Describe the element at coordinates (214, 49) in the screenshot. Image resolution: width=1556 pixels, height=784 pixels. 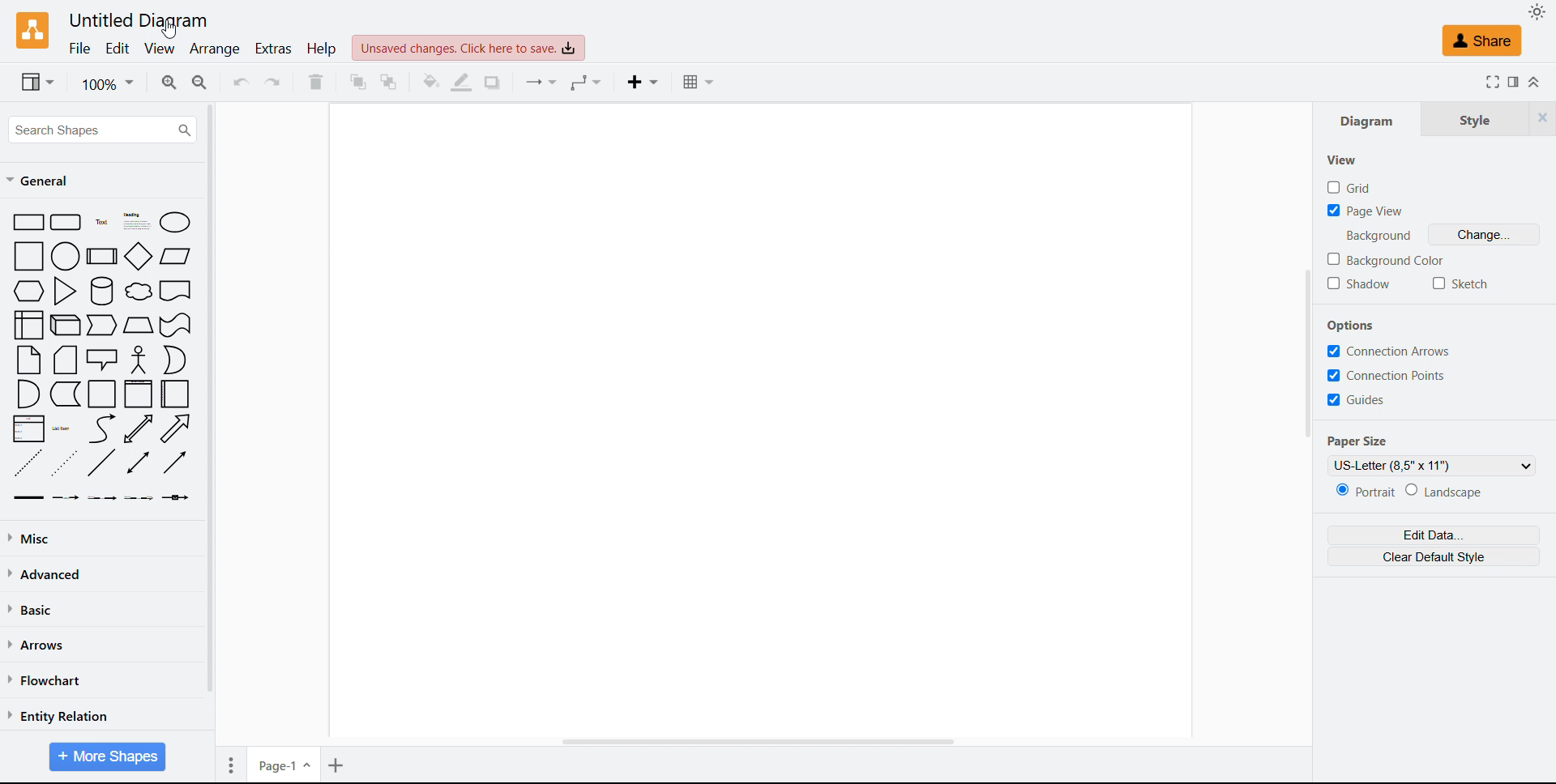
I see `Arrange ` at that location.